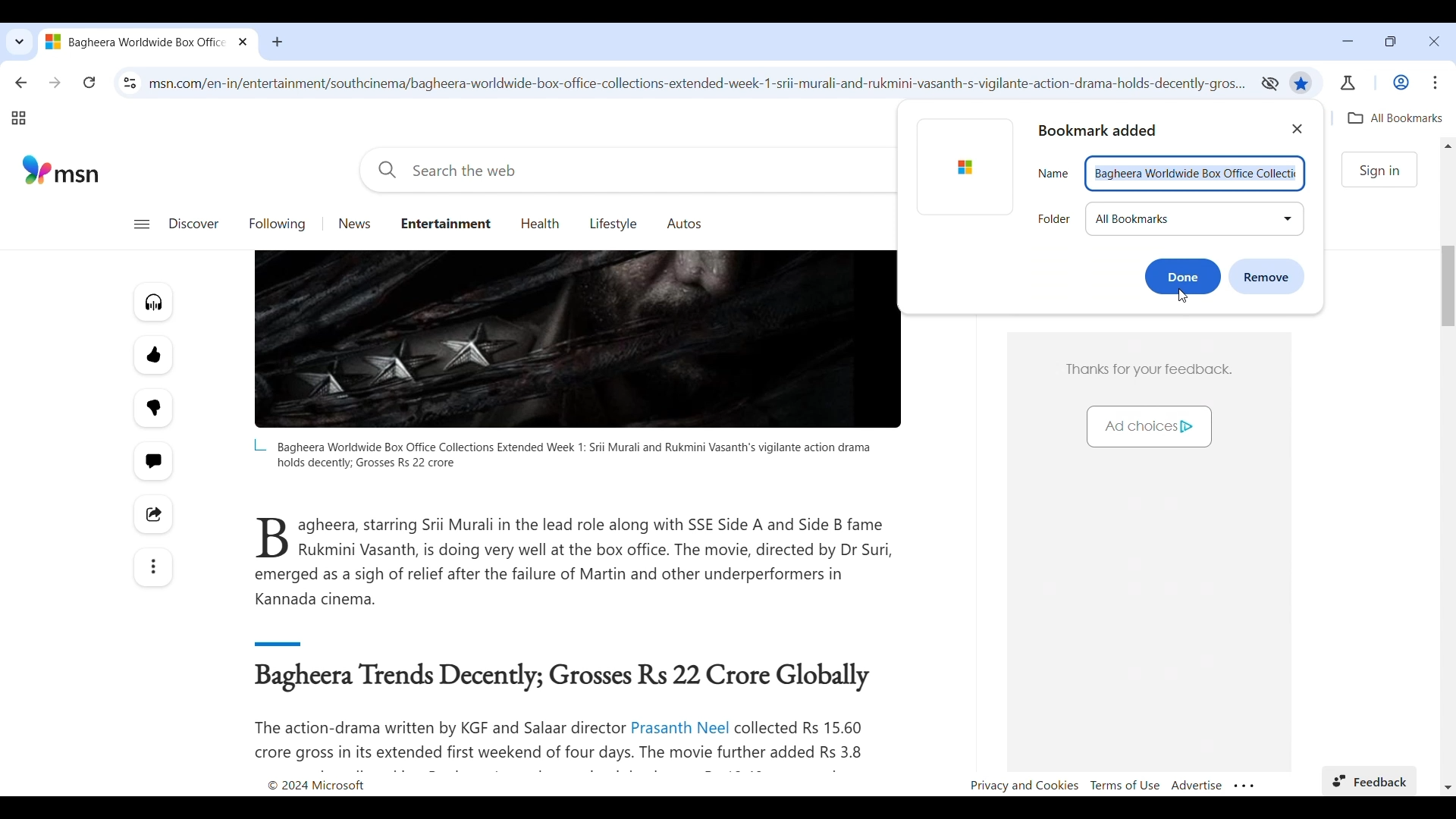 The image size is (1456, 819). Describe the element at coordinates (1448, 286) in the screenshot. I see `Vertical slide bar` at that location.